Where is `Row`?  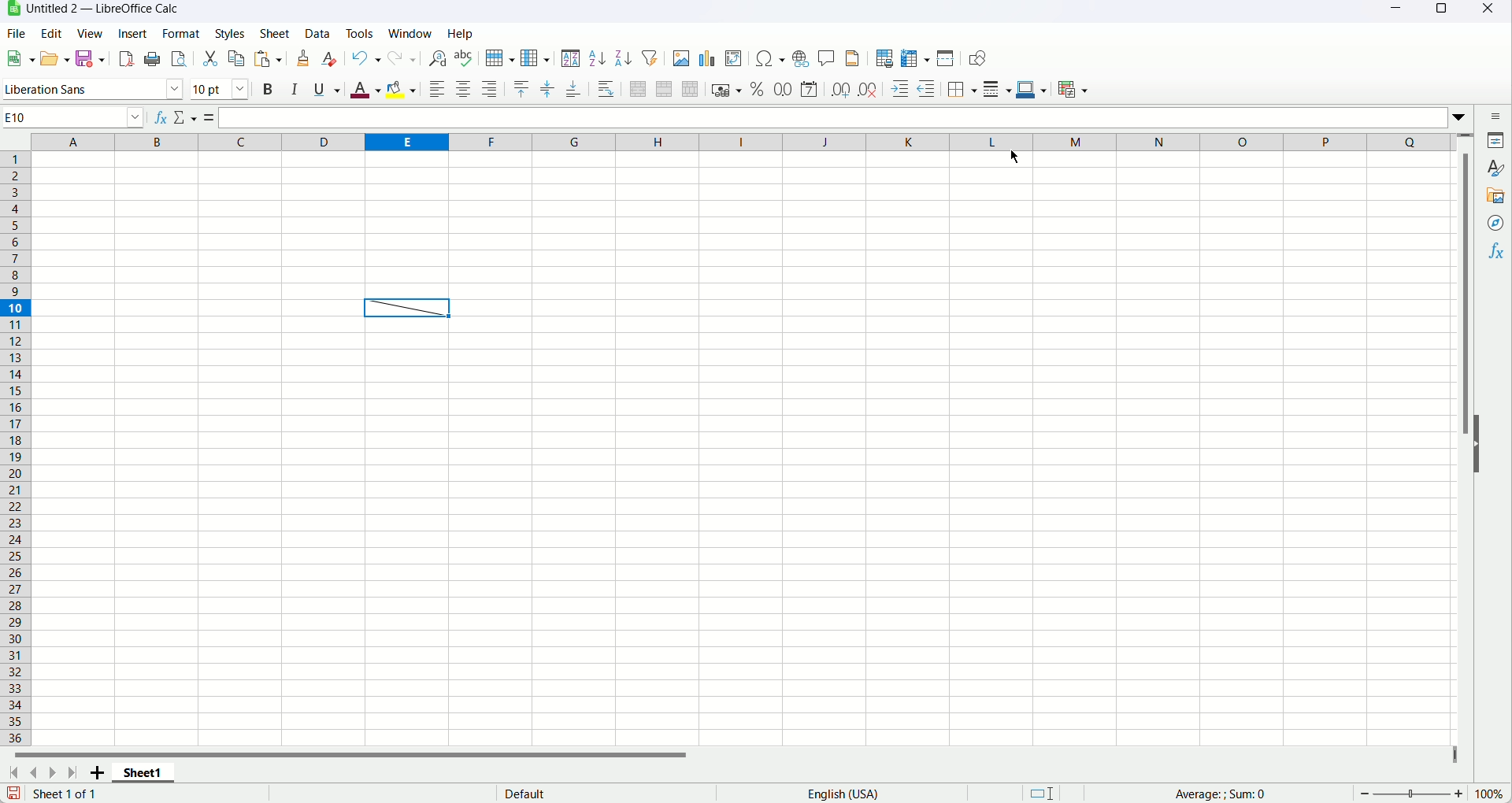 Row is located at coordinates (498, 57).